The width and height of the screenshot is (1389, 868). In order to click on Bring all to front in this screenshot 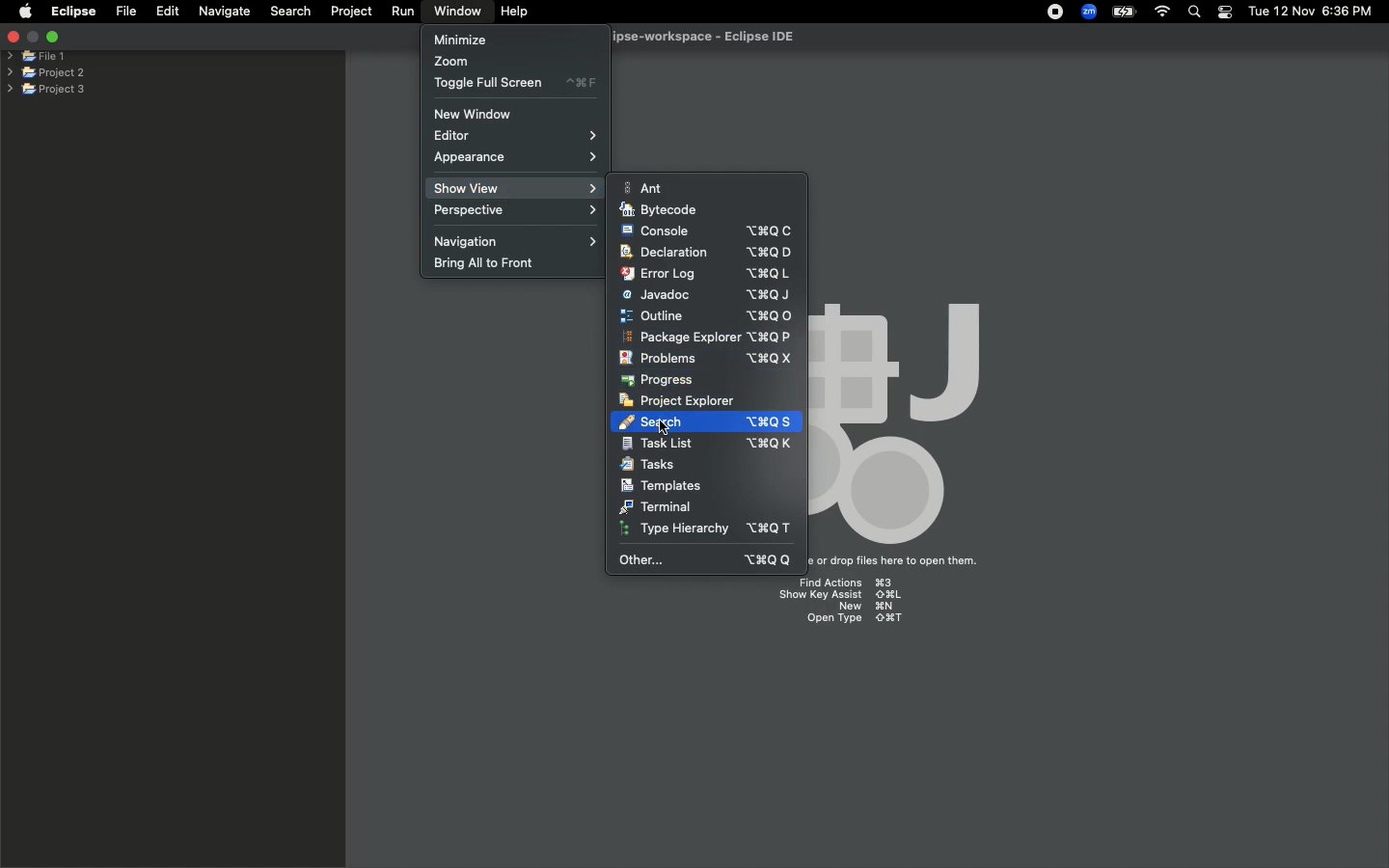, I will do `click(493, 264)`.